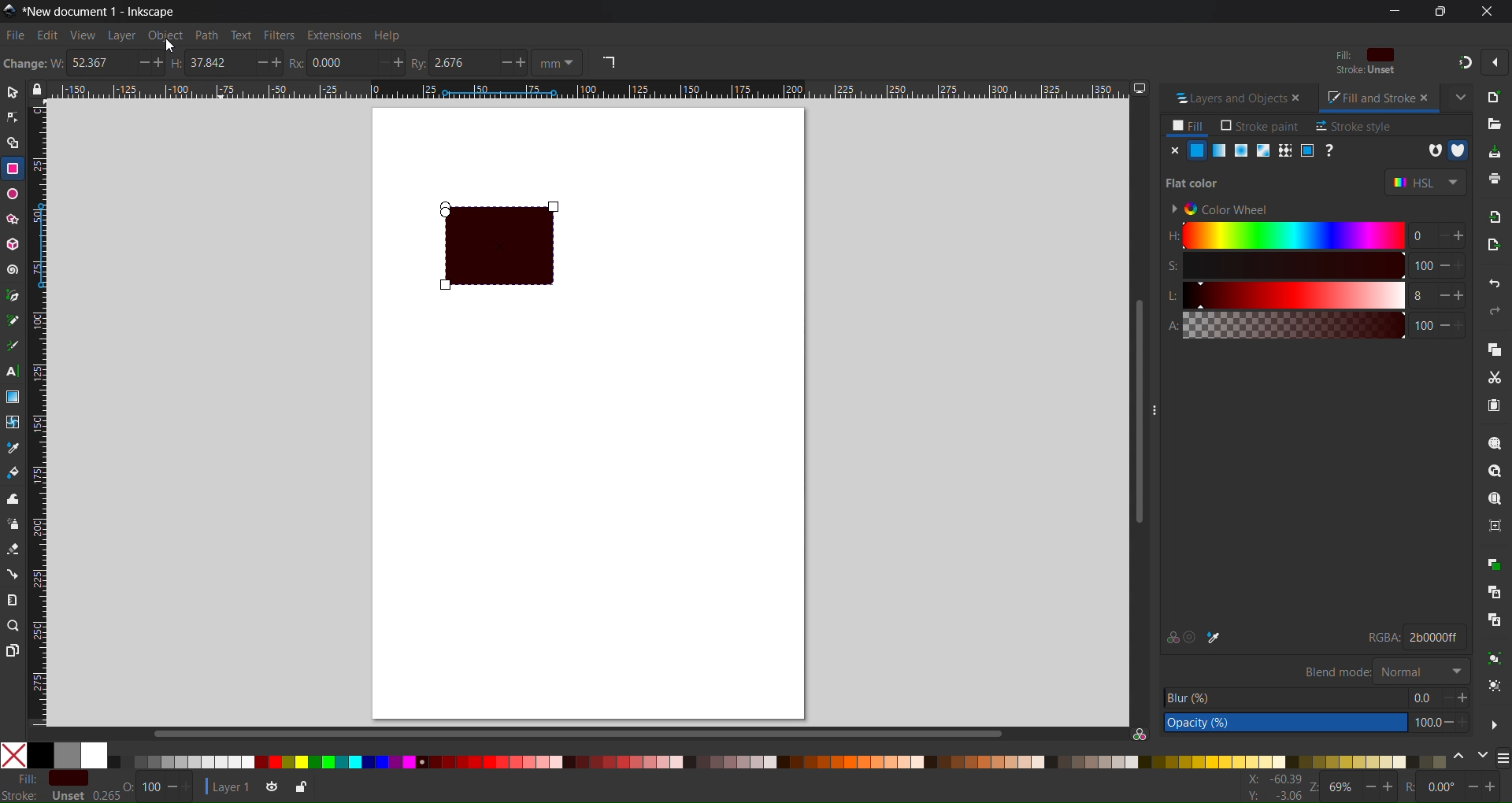 The height and width of the screenshot is (803, 1512). Describe the element at coordinates (47, 35) in the screenshot. I see `Edit` at that location.